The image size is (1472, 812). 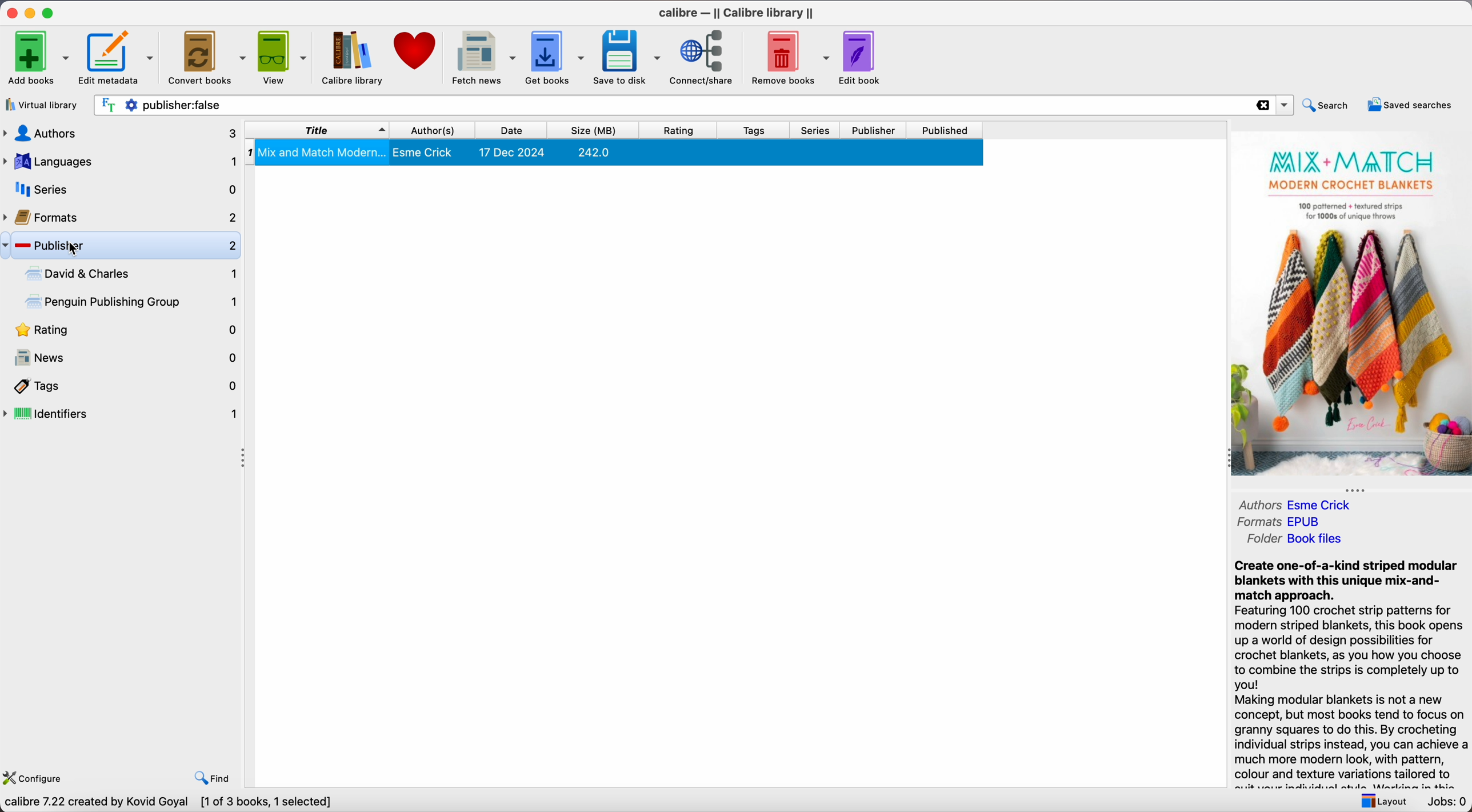 I want to click on Calibre library, so click(x=353, y=59).